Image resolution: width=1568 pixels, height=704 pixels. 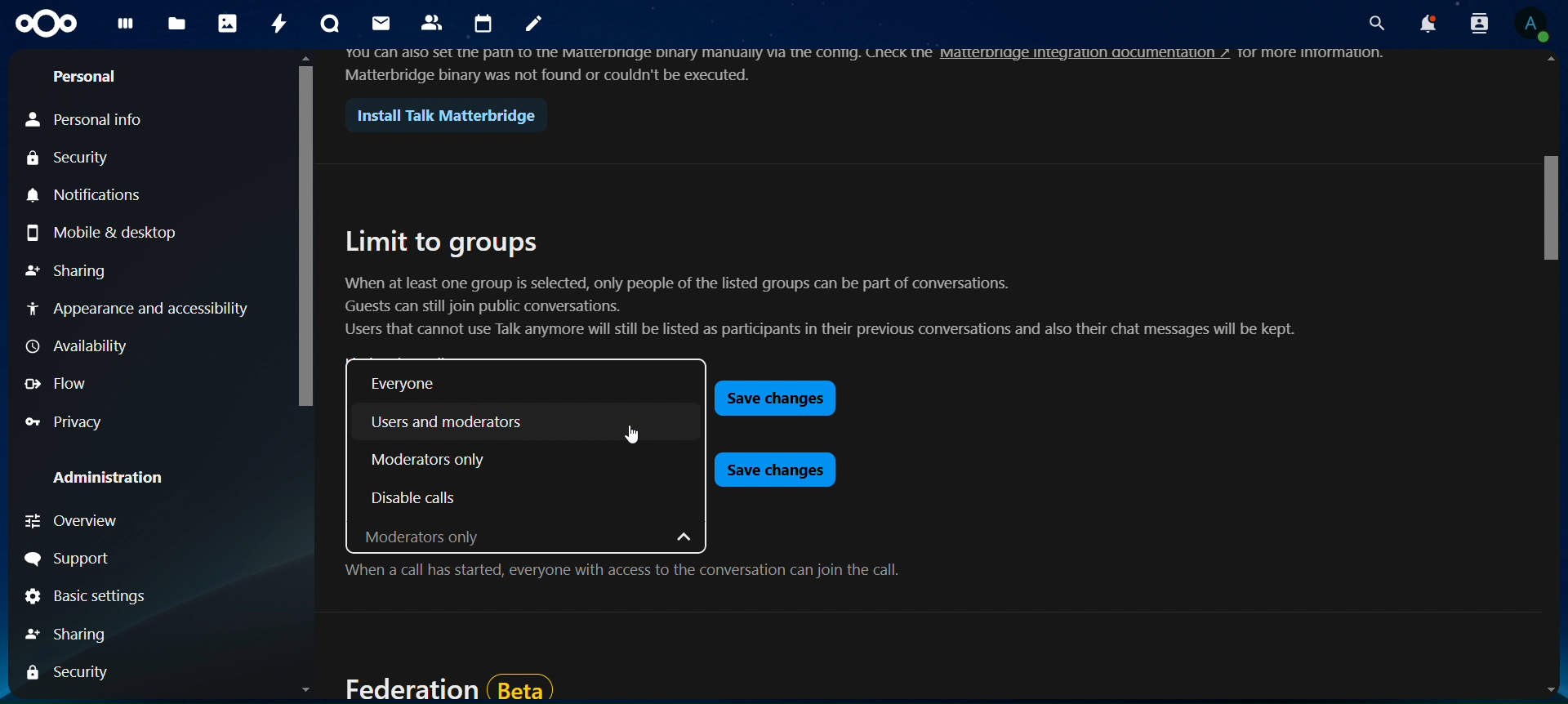 I want to click on moderators only, so click(x=428, y=458).